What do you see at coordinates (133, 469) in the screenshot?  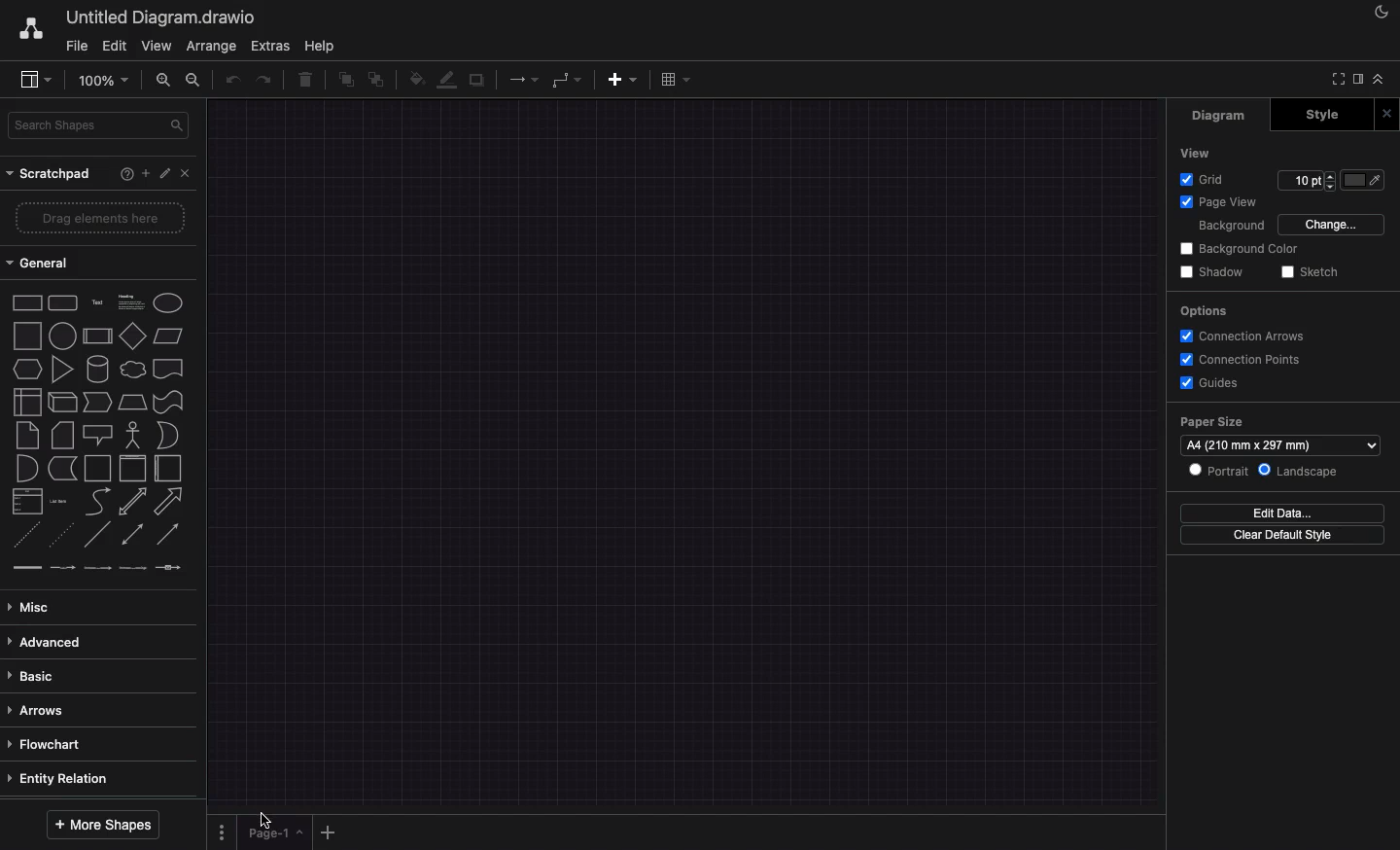 I see `container` at bounding box center [133, 469].